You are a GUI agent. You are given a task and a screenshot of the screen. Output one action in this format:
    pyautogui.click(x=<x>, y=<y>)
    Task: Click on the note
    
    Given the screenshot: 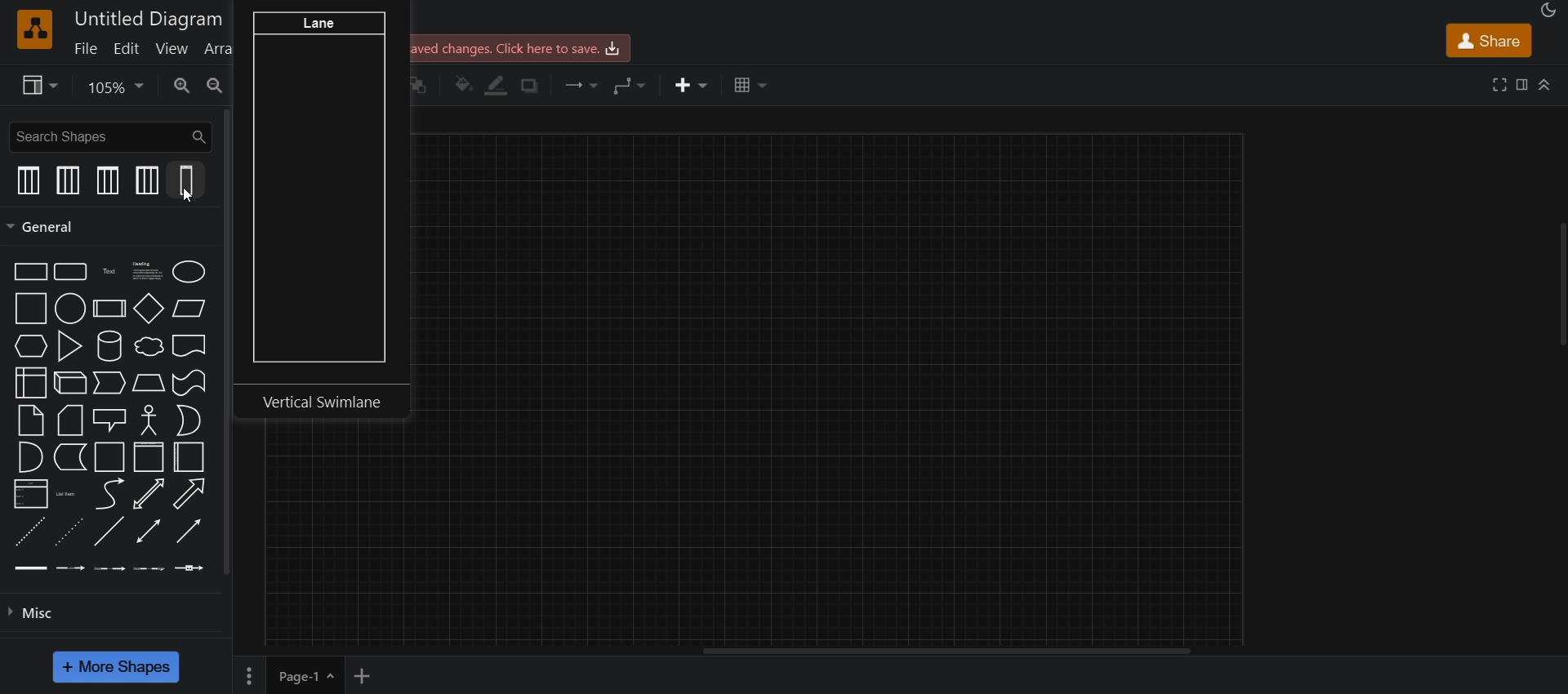 What is the action you would take?
    pyautogui.click(x=32, y=421)
    